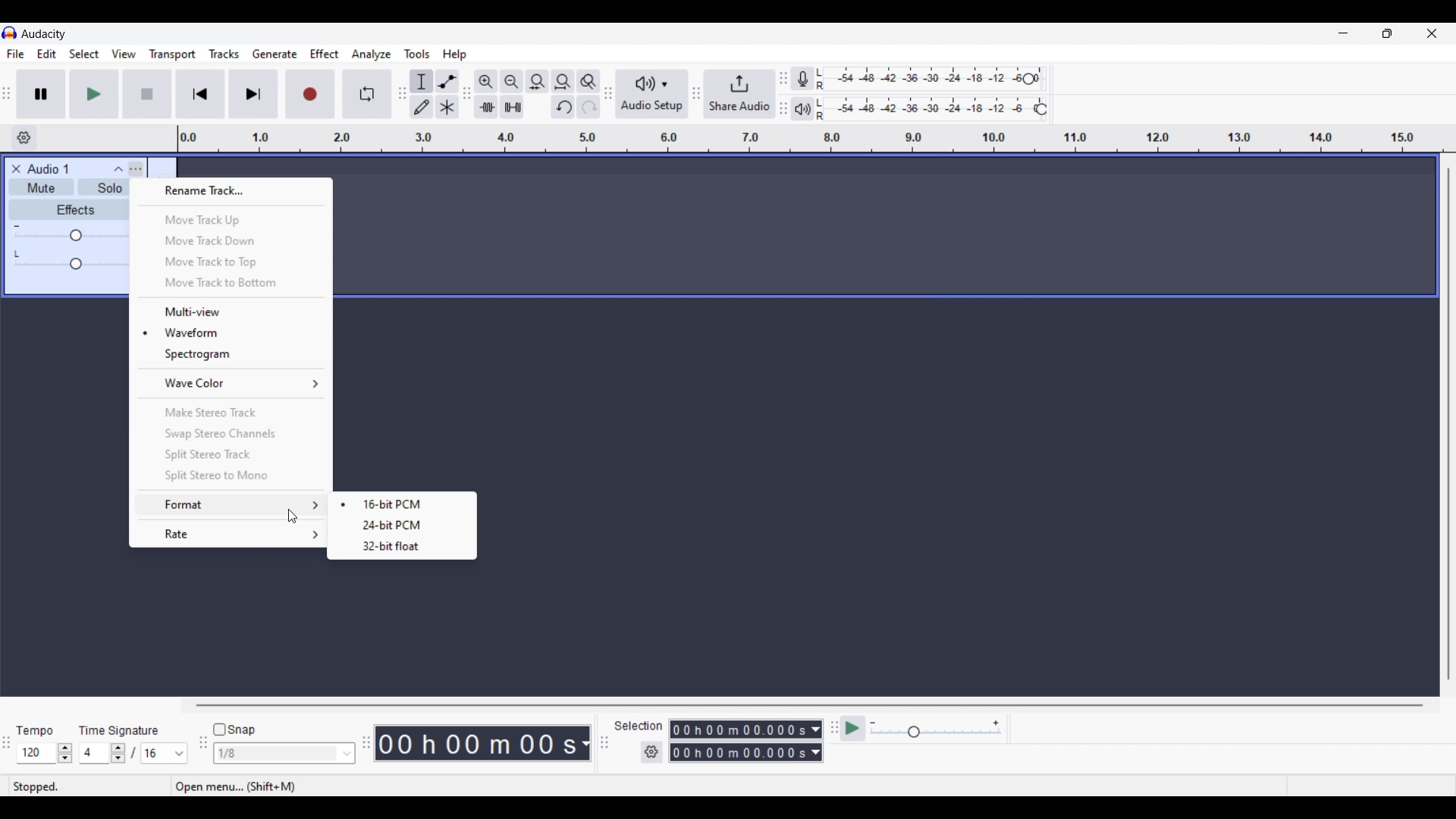 Image resolution: width=1456 pixels, height=819 pixels. I want to click on Generate menu, so click(275, 54).